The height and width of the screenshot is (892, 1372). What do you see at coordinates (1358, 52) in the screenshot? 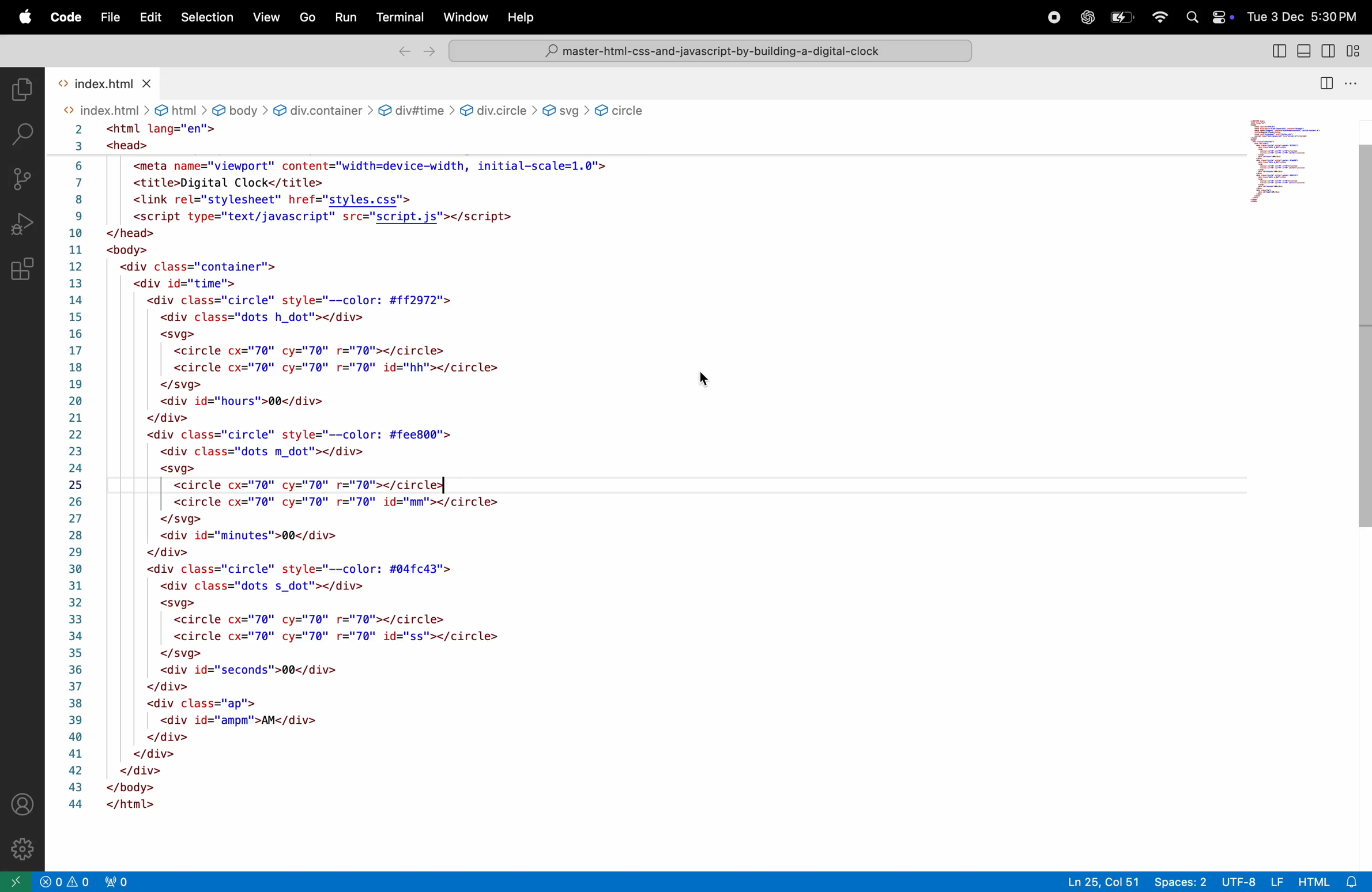
I see `customize layout` at bounding box center [1358, 52].